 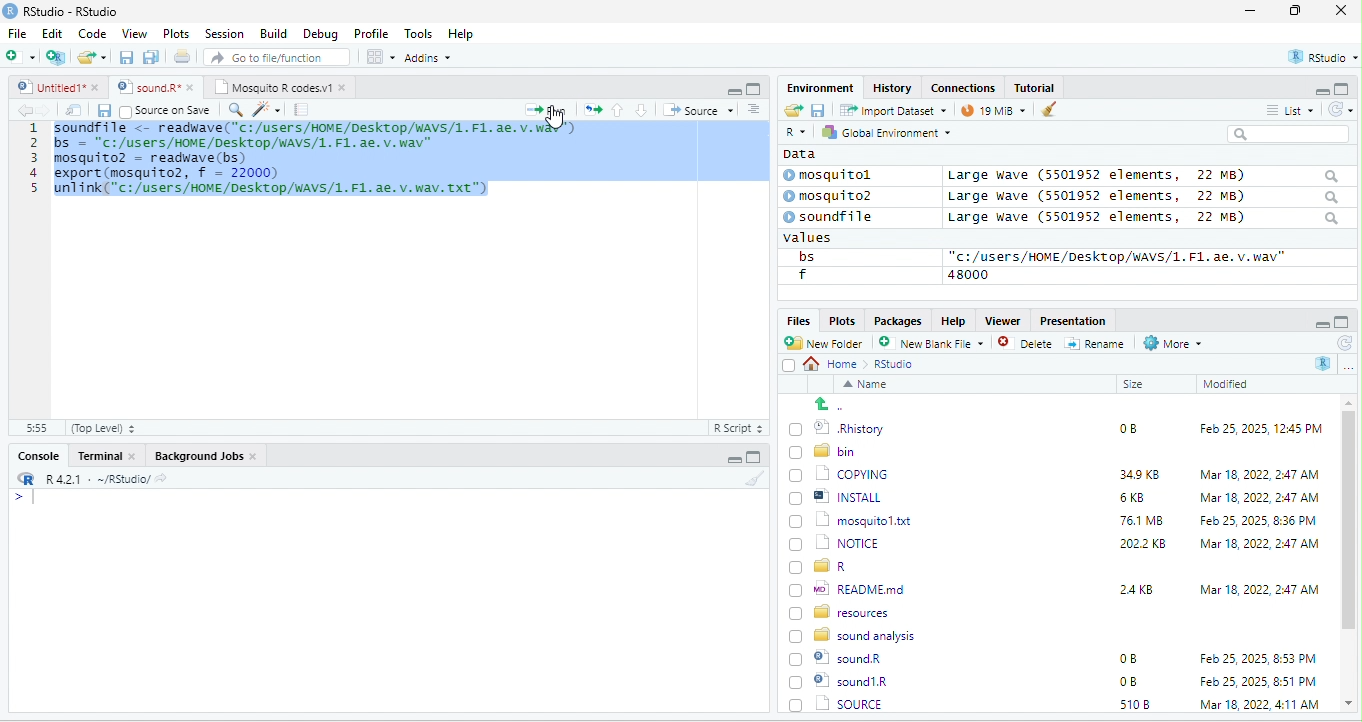 I want to click on ‘Mosquito R codes.vi, so click(x=150, y=87).